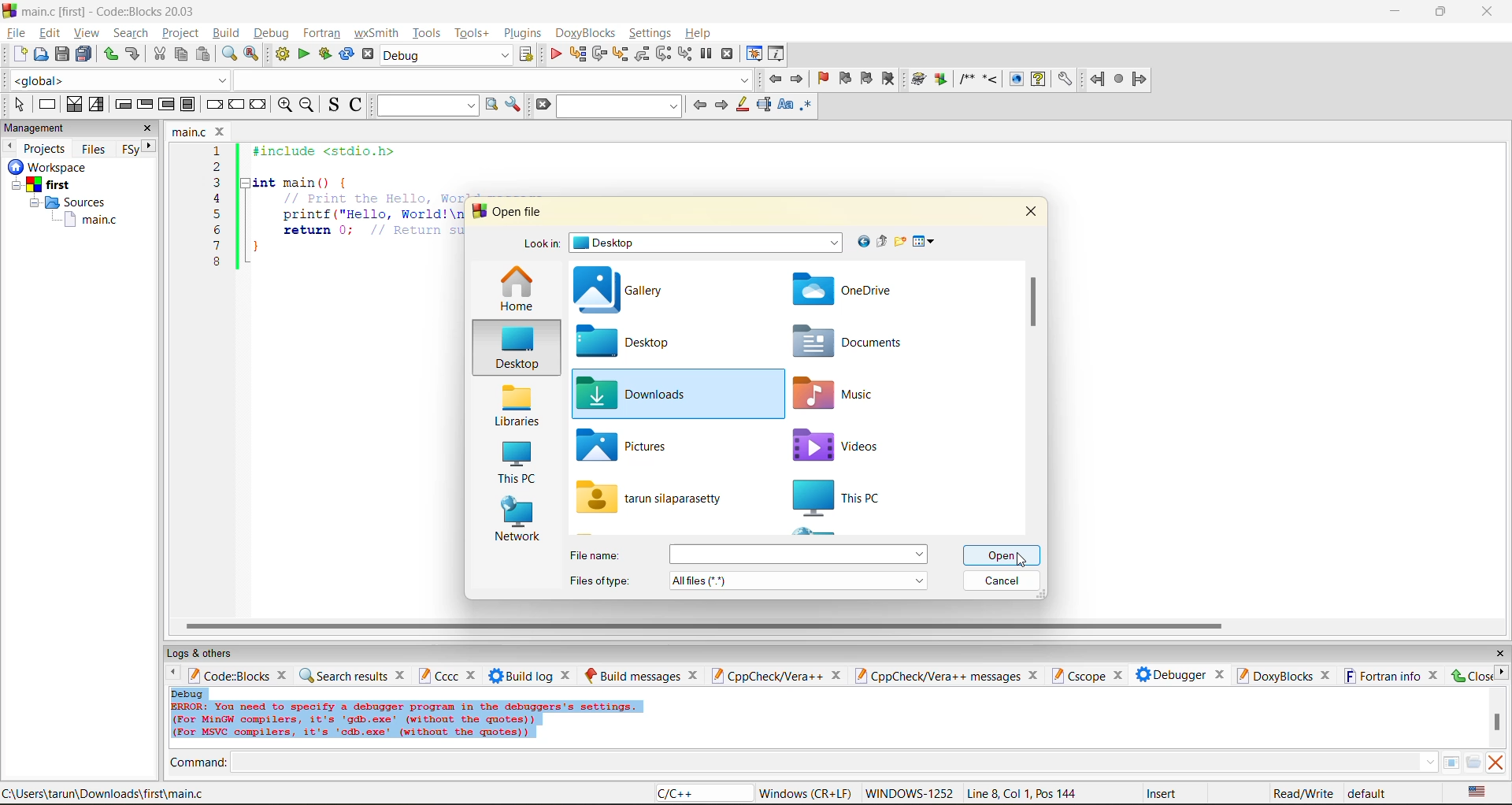  I want to click on 6, so click(217, 229).